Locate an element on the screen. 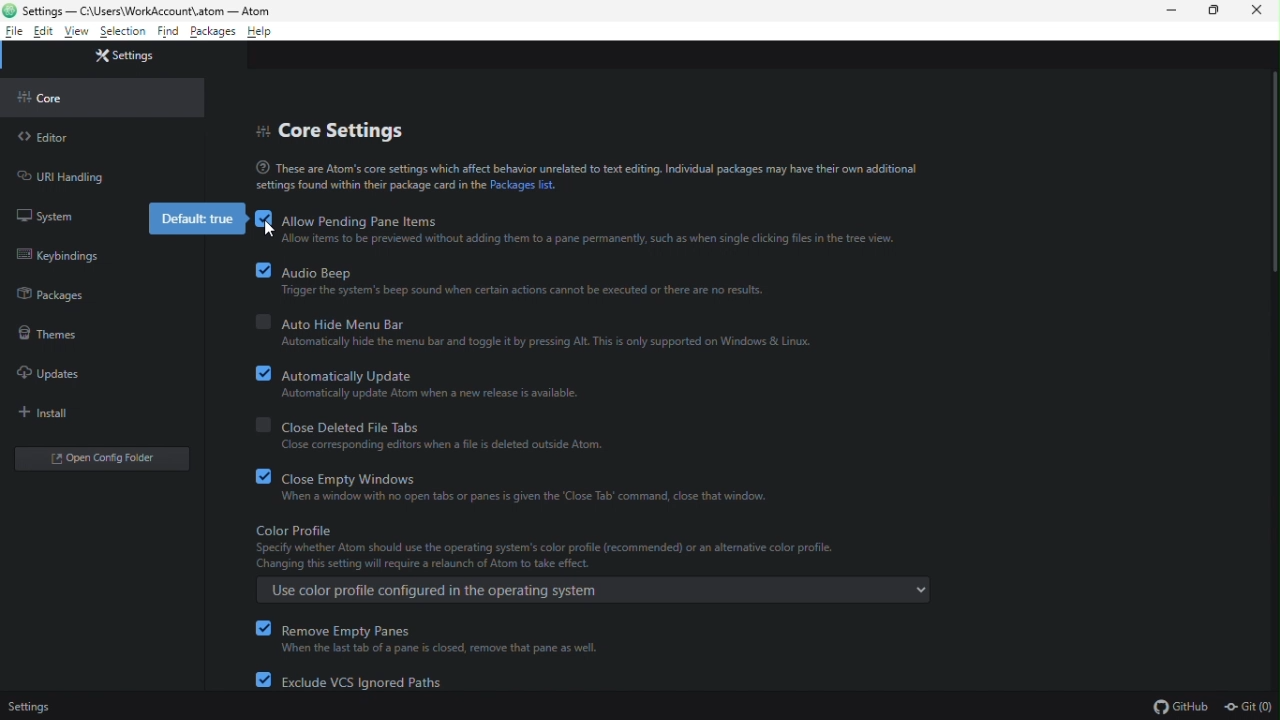 This screenshot has height=720, width=1280. install is located at coordinates (51, 412).